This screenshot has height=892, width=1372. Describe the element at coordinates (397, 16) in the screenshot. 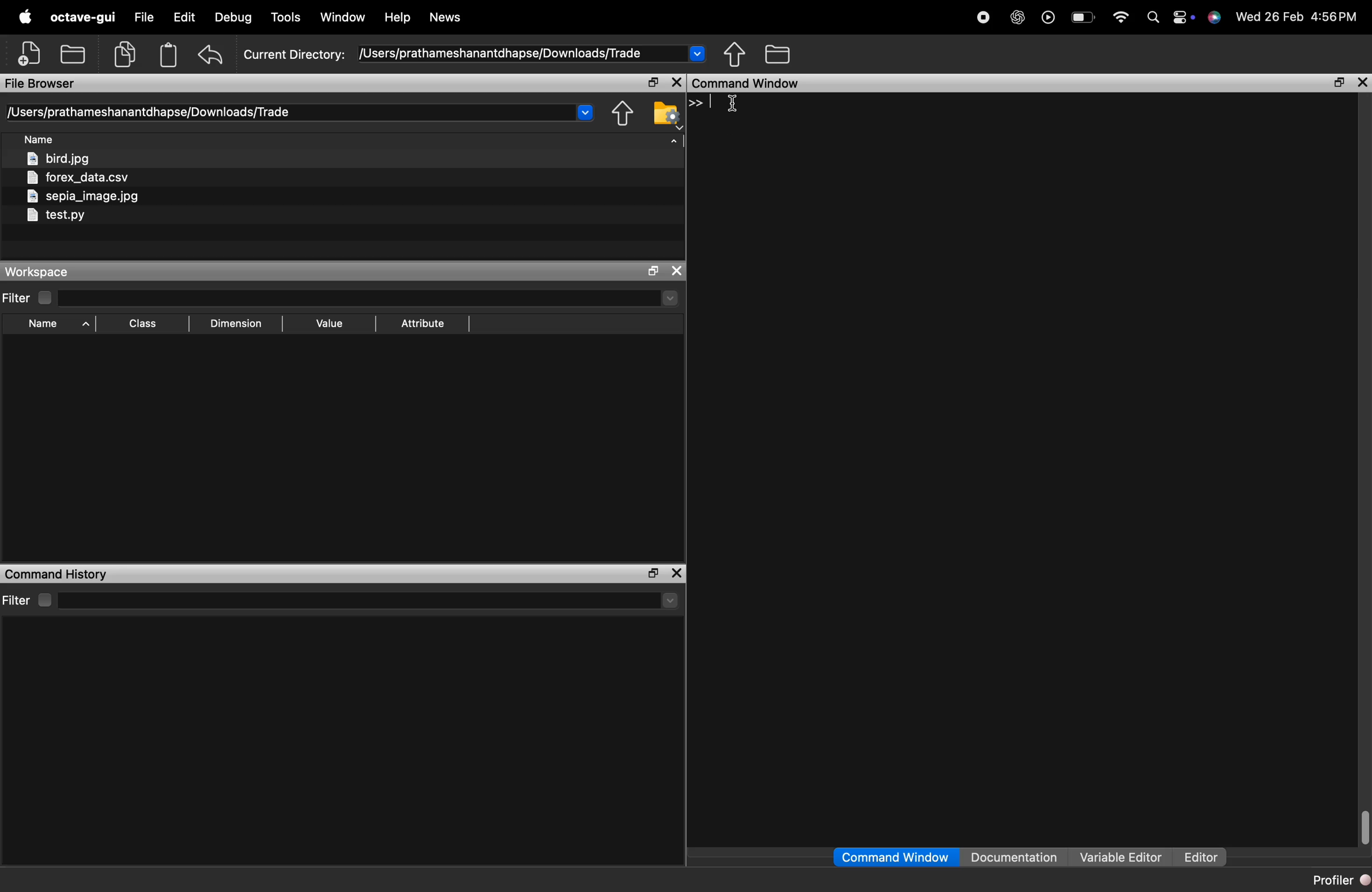

I see `Help` at that location.